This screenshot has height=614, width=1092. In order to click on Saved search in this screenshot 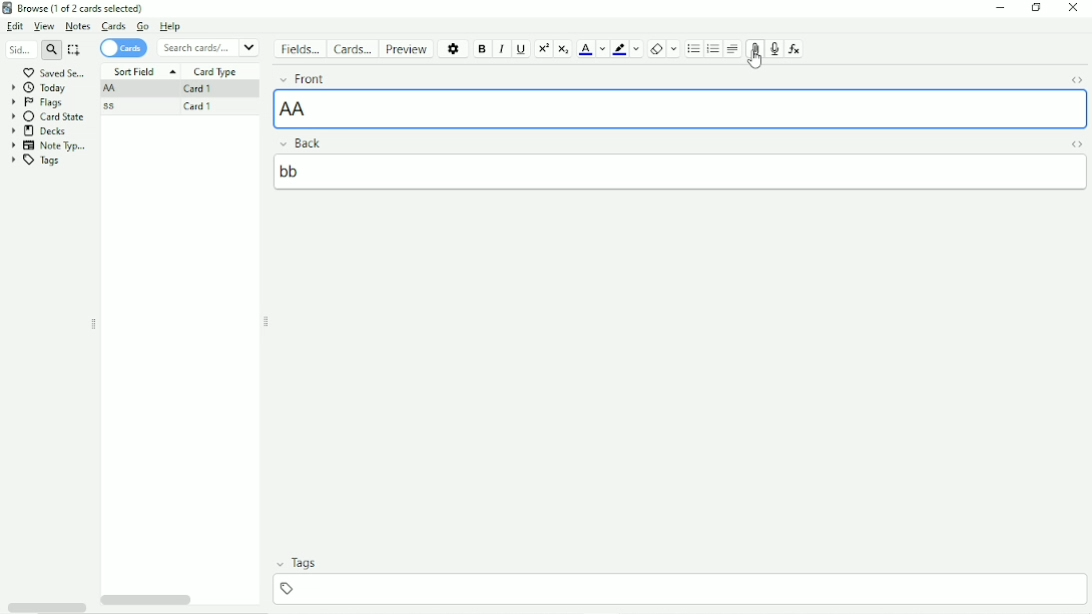, I will do `click(52, 71)`.